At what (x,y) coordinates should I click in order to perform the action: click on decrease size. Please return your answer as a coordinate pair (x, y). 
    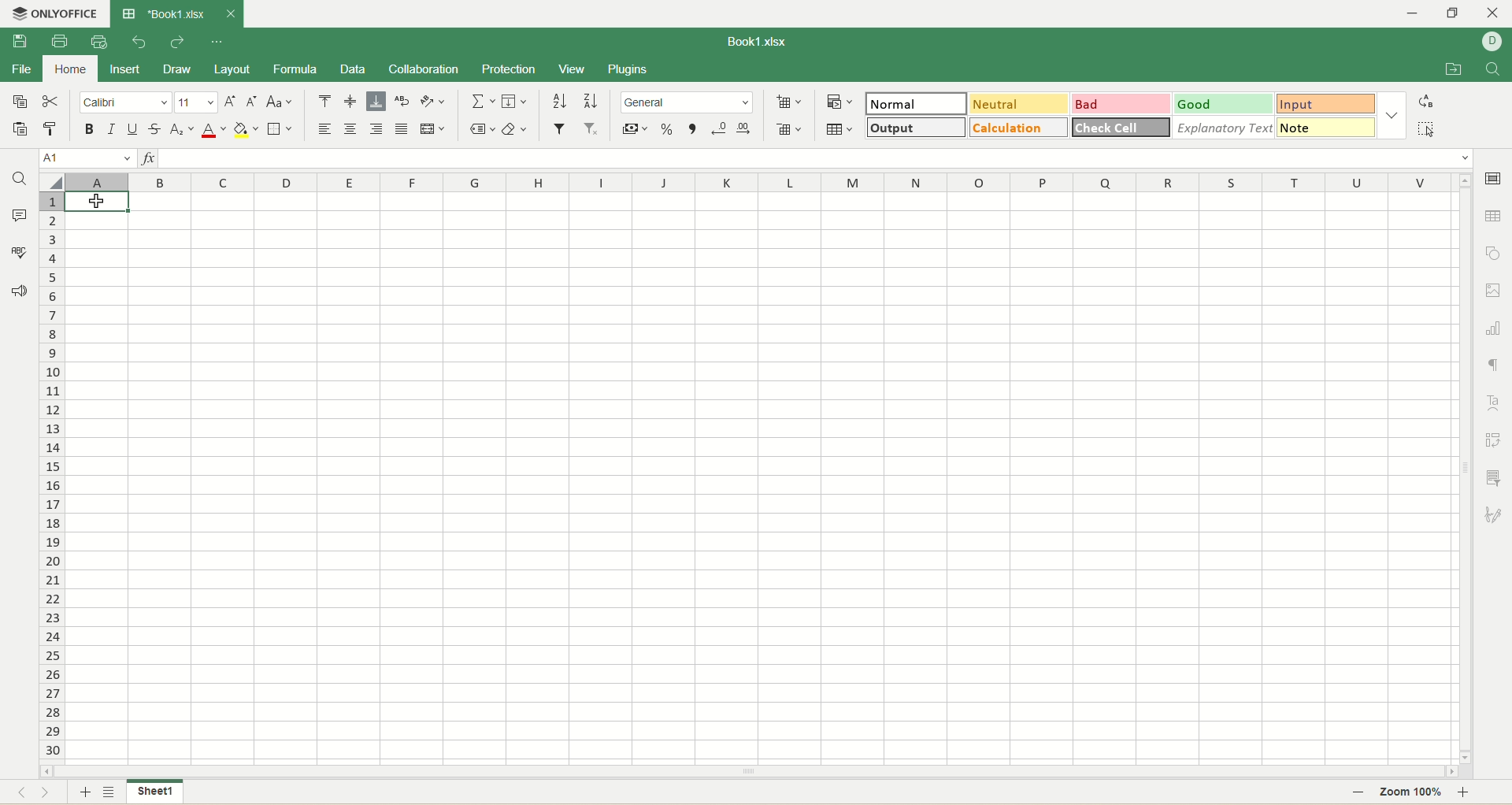
    Looking at the image, I should click on (254, 102).